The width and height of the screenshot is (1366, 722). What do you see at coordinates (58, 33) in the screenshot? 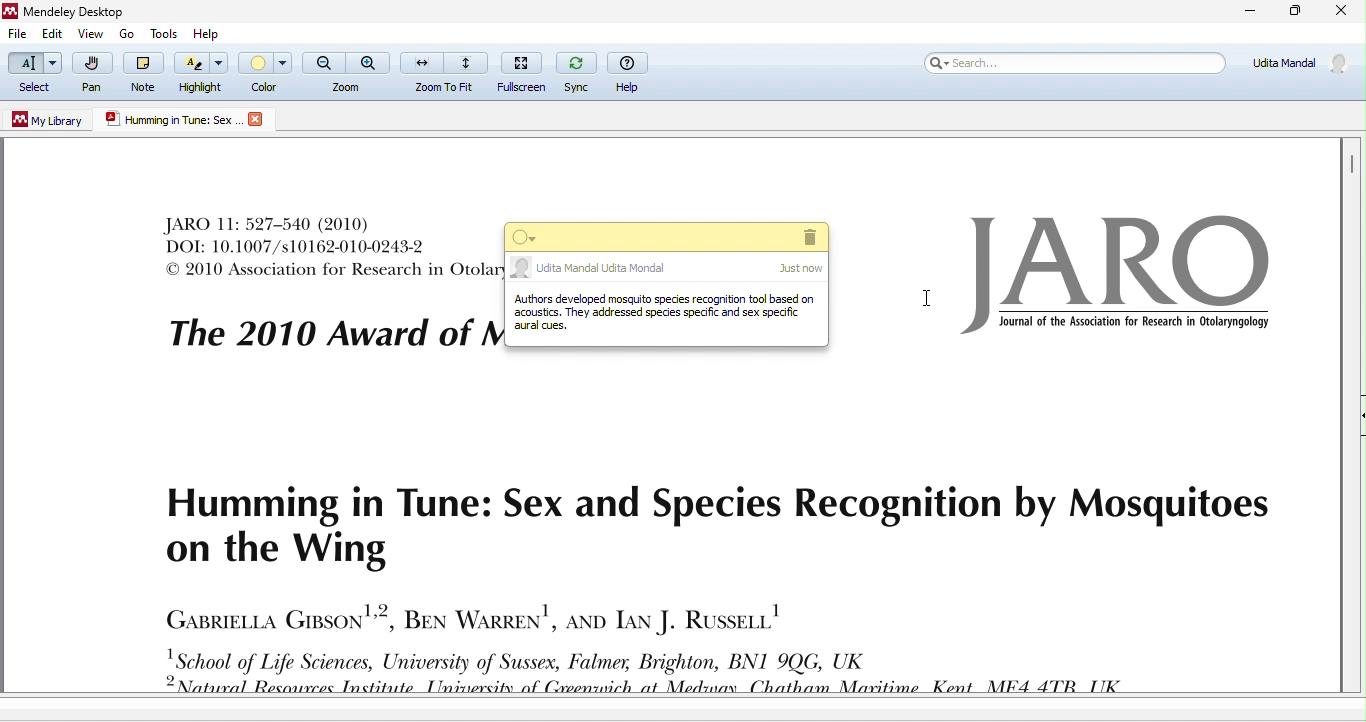
I see `edit` at bounding box center [58, 33].